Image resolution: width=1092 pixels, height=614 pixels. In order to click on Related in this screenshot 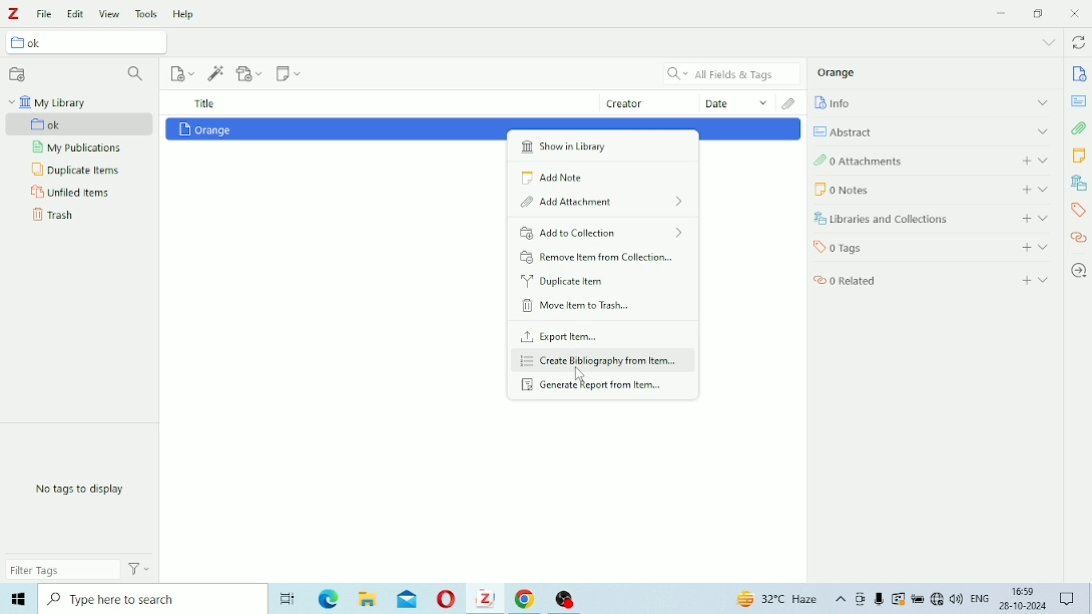, I will do `click(1078, 237)`.